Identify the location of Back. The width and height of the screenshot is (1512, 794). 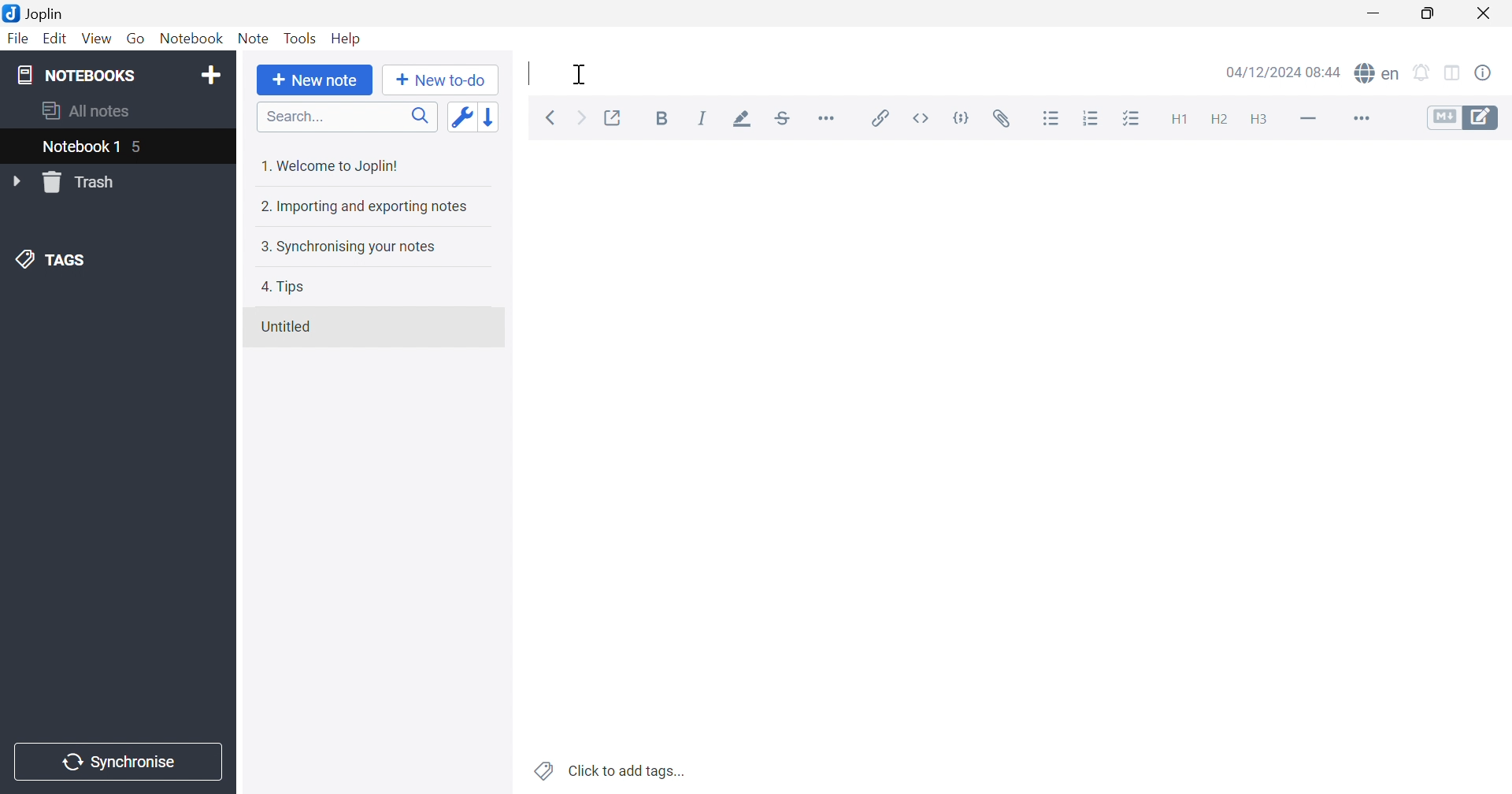
(550, 118).